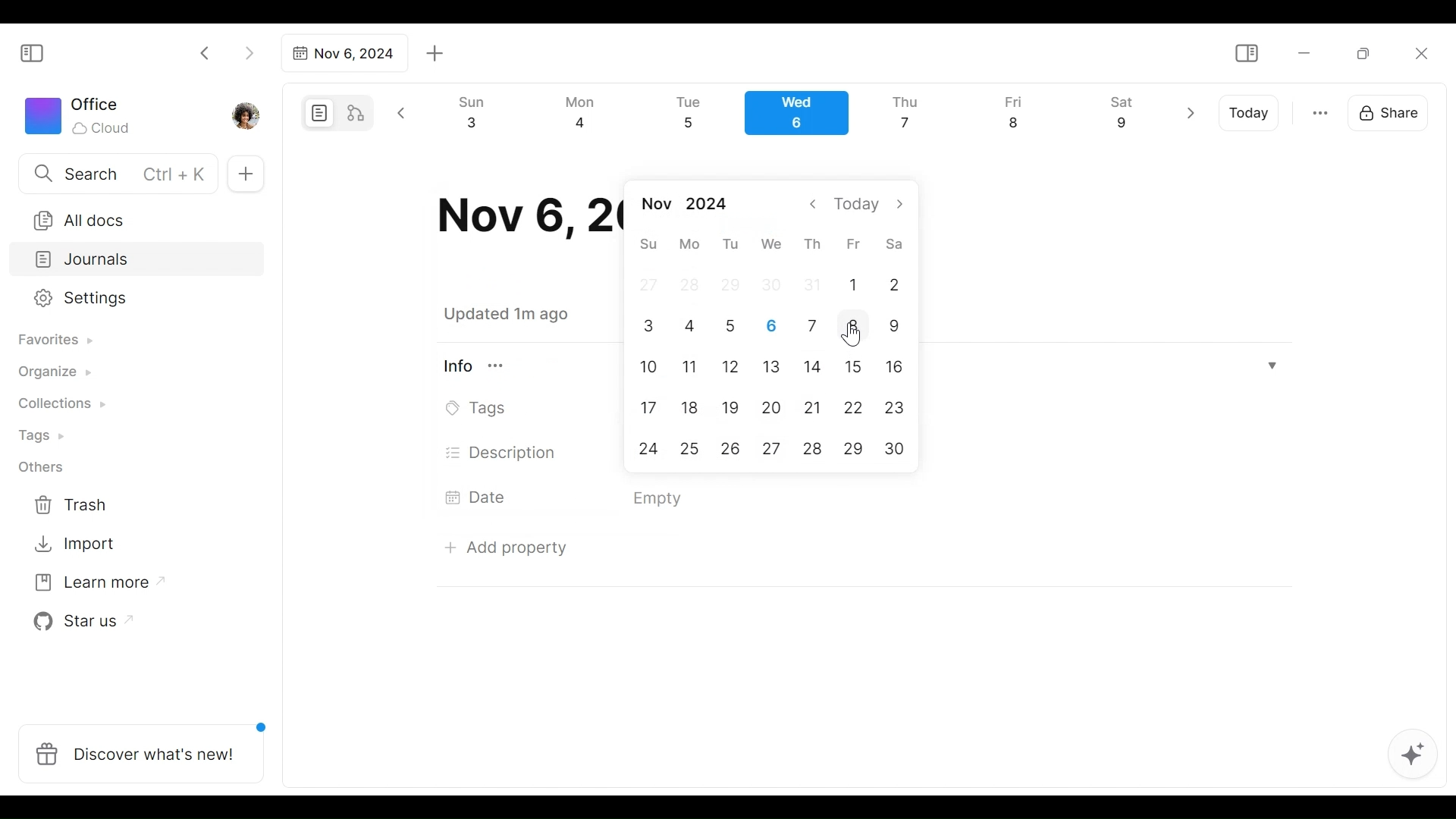 Image resolution: width=1456 pixels, height=819 pixels. I want to click on Saved, so click(525, 314).